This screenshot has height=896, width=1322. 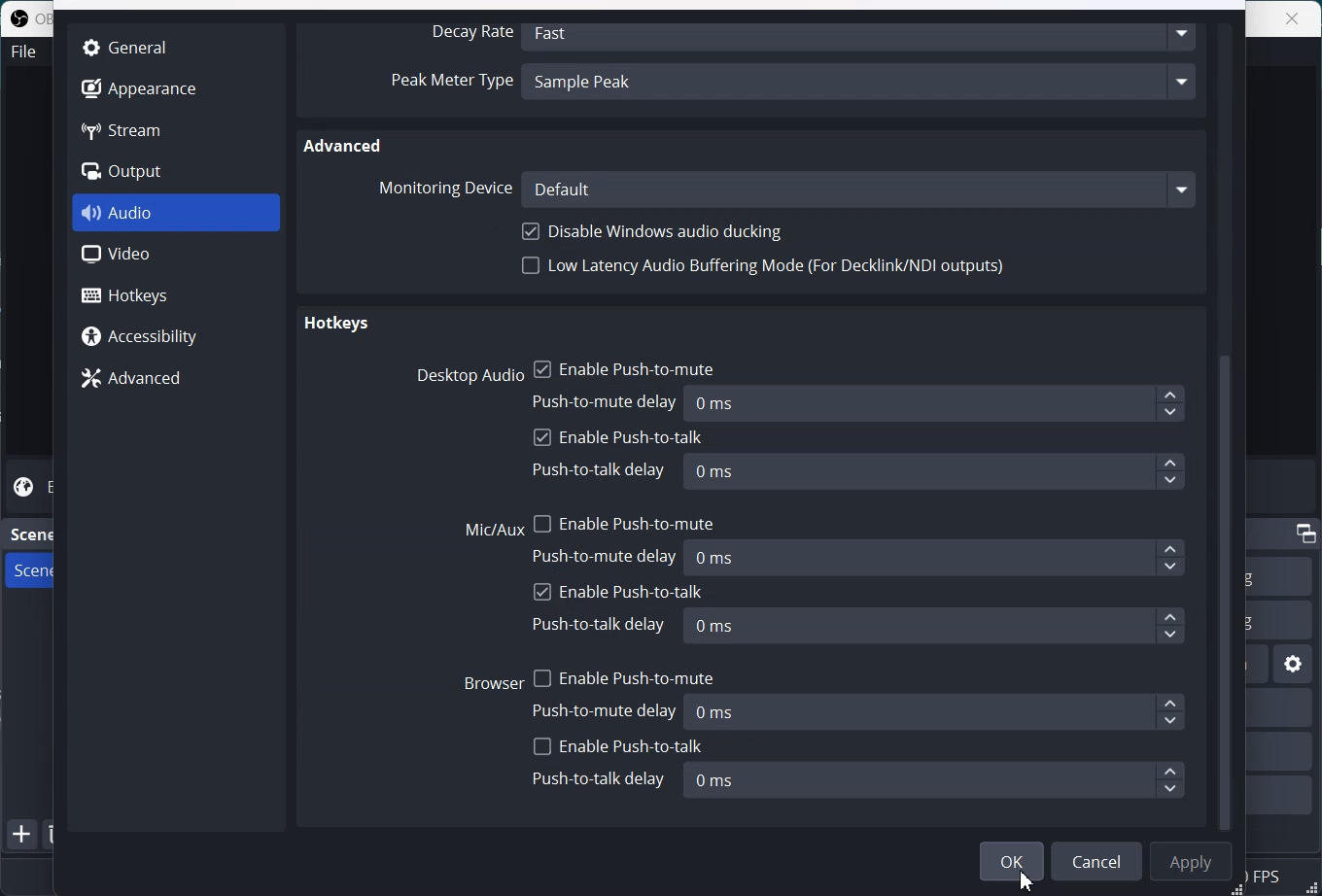 I want to click on Cancel, so click(x=1096, y=861).